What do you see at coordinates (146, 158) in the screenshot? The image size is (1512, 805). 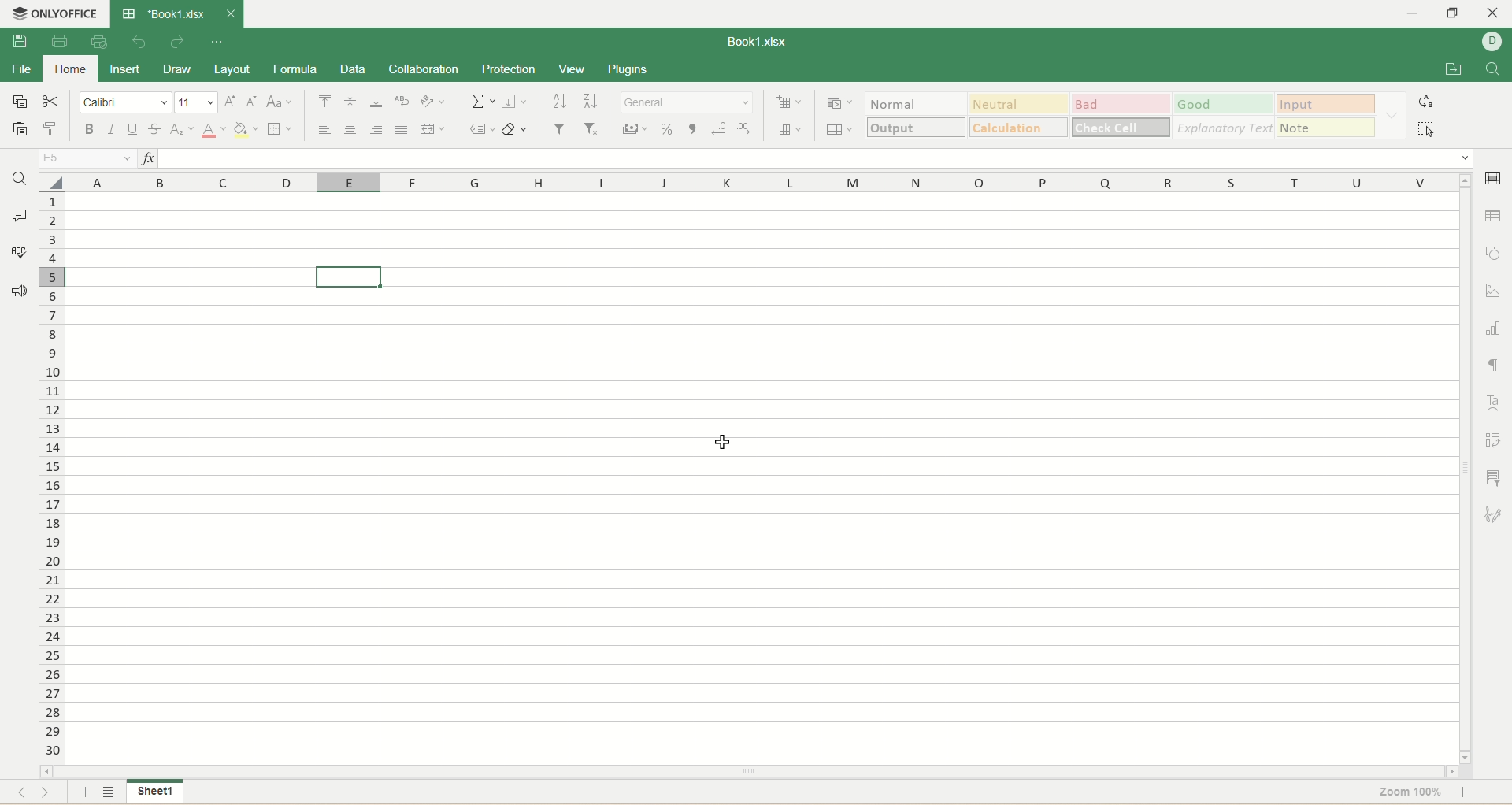 I see `insert function` at bounding box center [146, 158].